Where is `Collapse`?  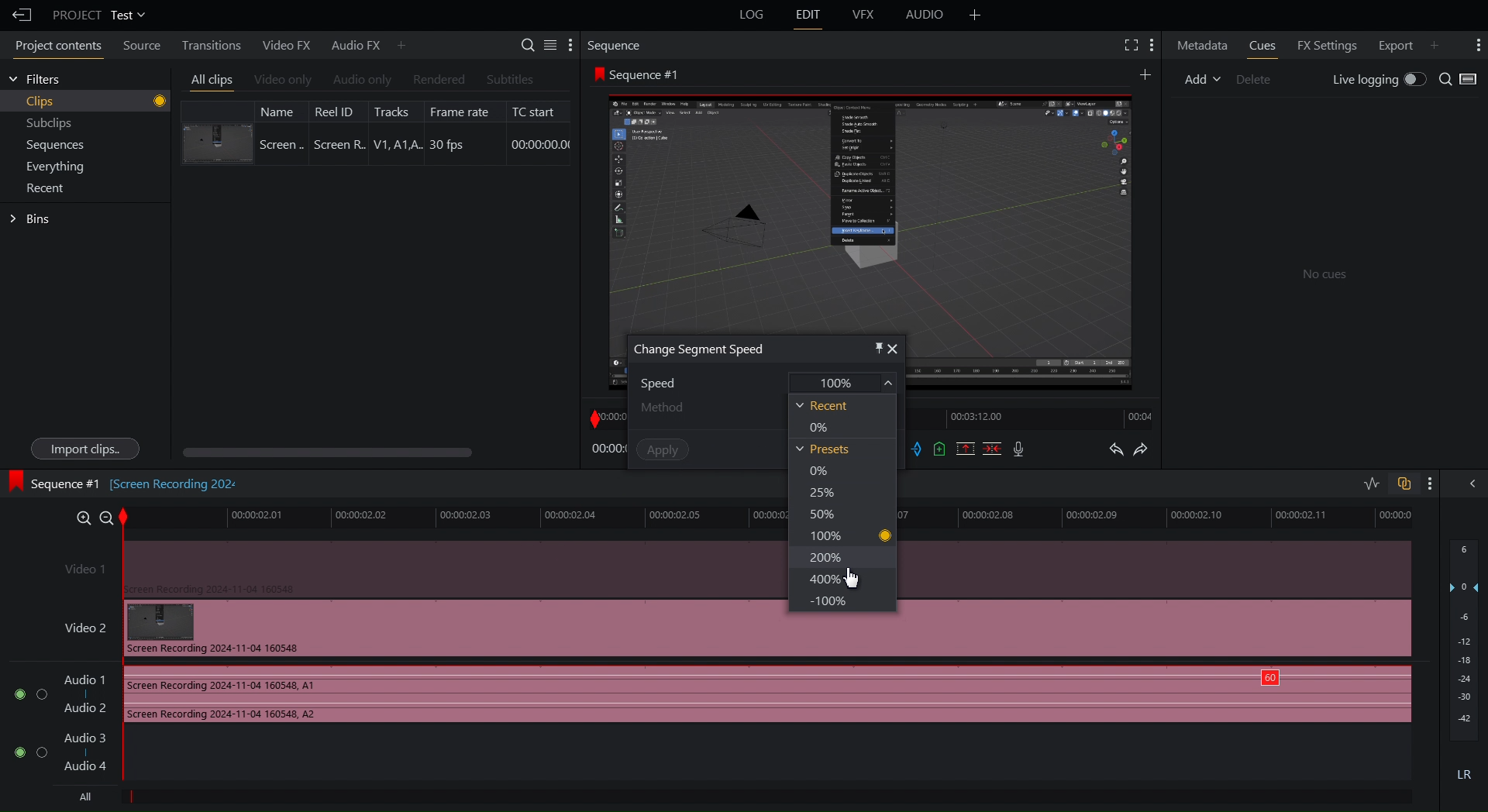
Collapse is located at coordinates (1469, 483).